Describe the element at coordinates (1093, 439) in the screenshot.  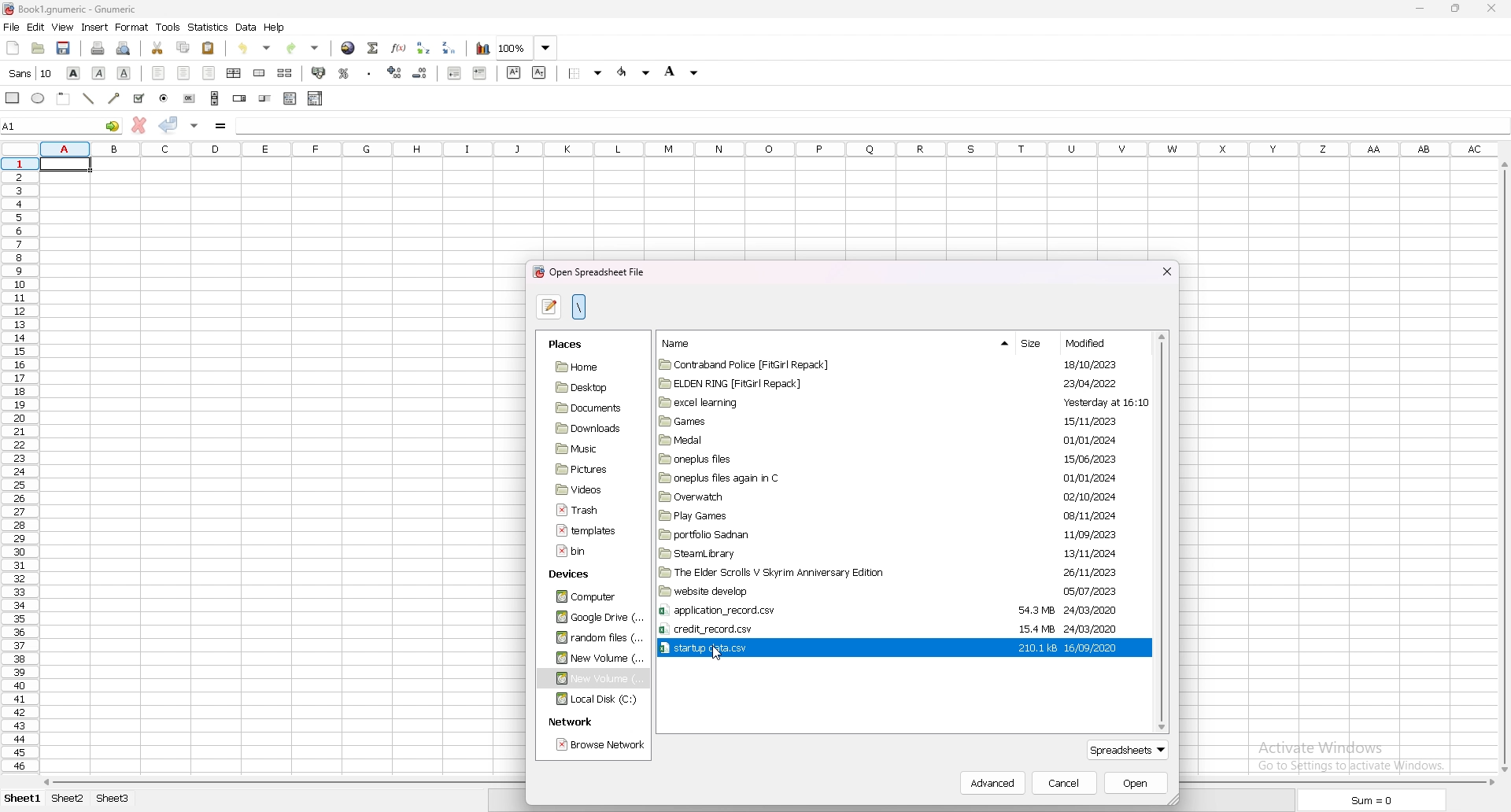
I see `01/01/2024` at that location.